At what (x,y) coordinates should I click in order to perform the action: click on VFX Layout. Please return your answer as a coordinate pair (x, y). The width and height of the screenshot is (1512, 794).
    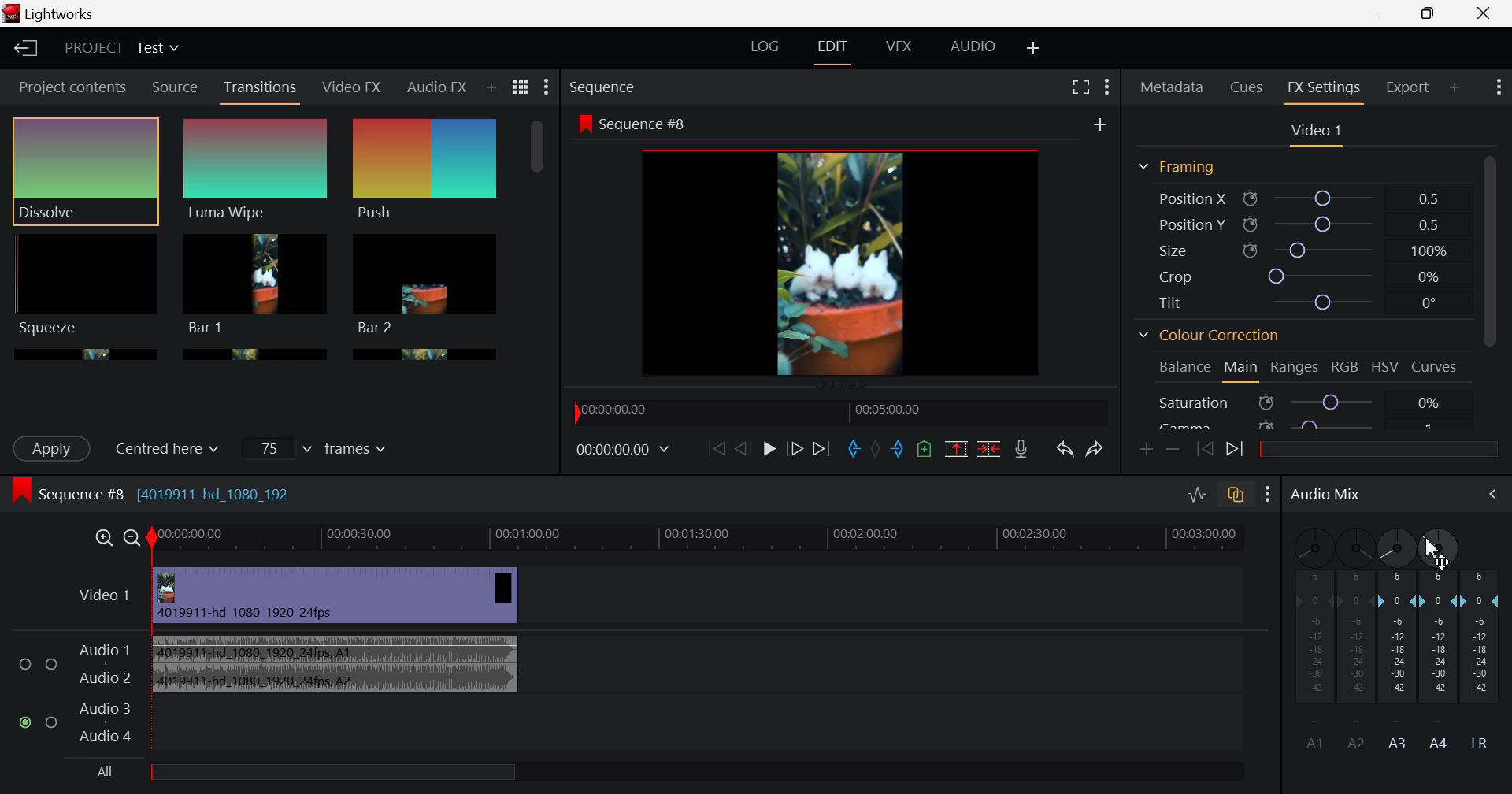
    Looking at the image, I should click on (899, 50).